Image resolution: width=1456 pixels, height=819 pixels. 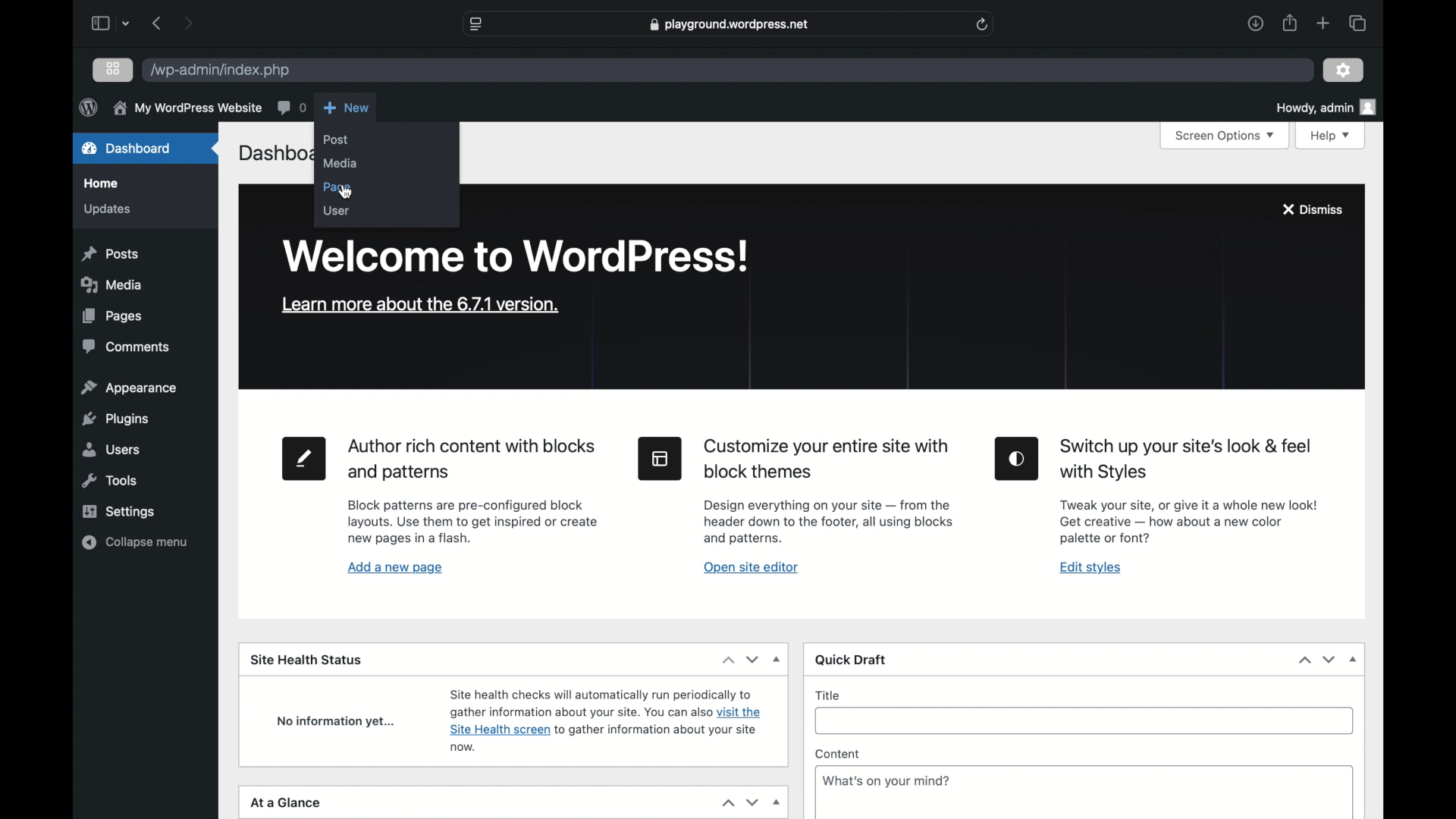 I want to click on home, so click(x=100, y=182).